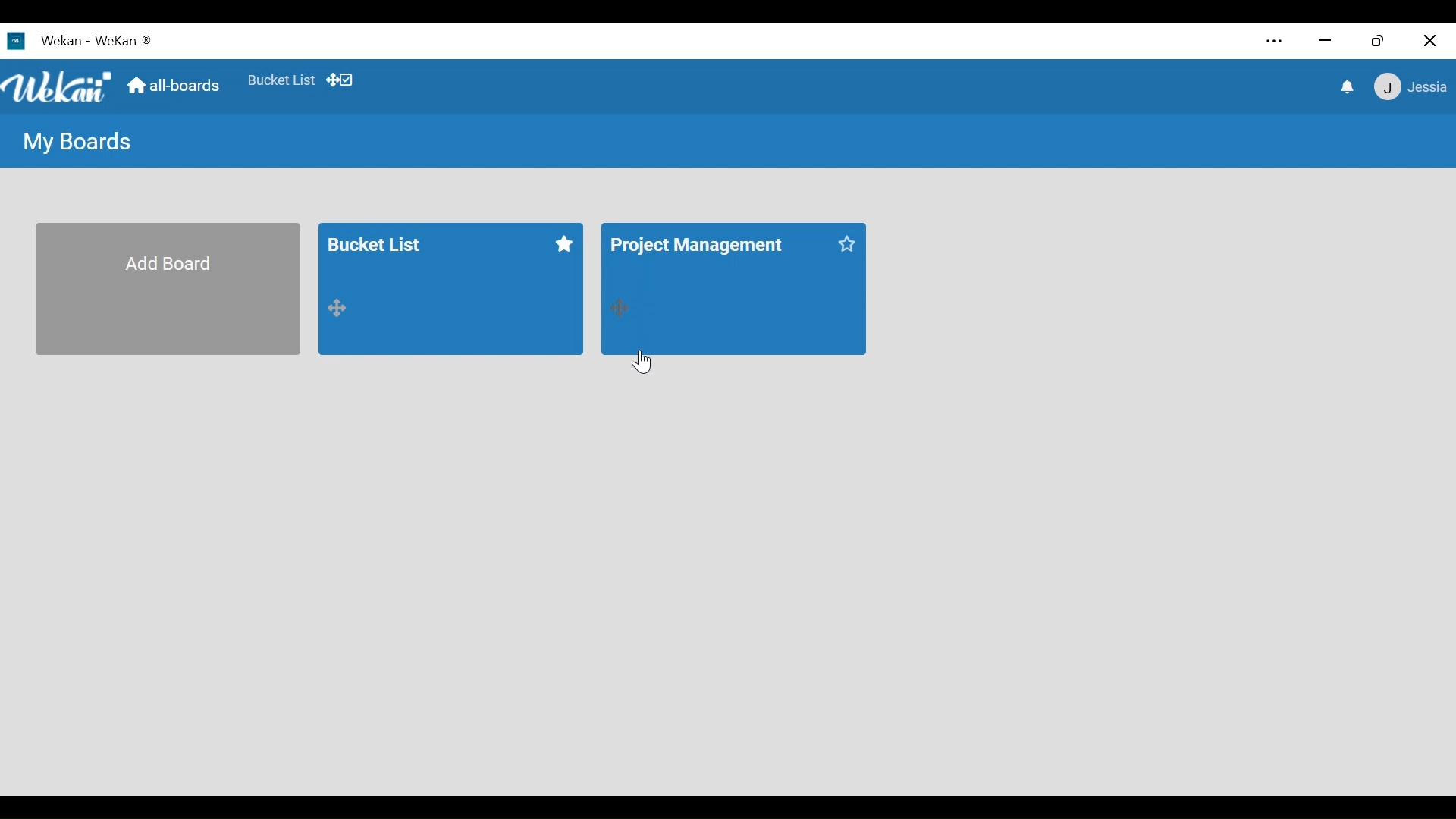 The width and height of the screenshot is (1456, 819). I want to click on Add Board, so click(167, 288).